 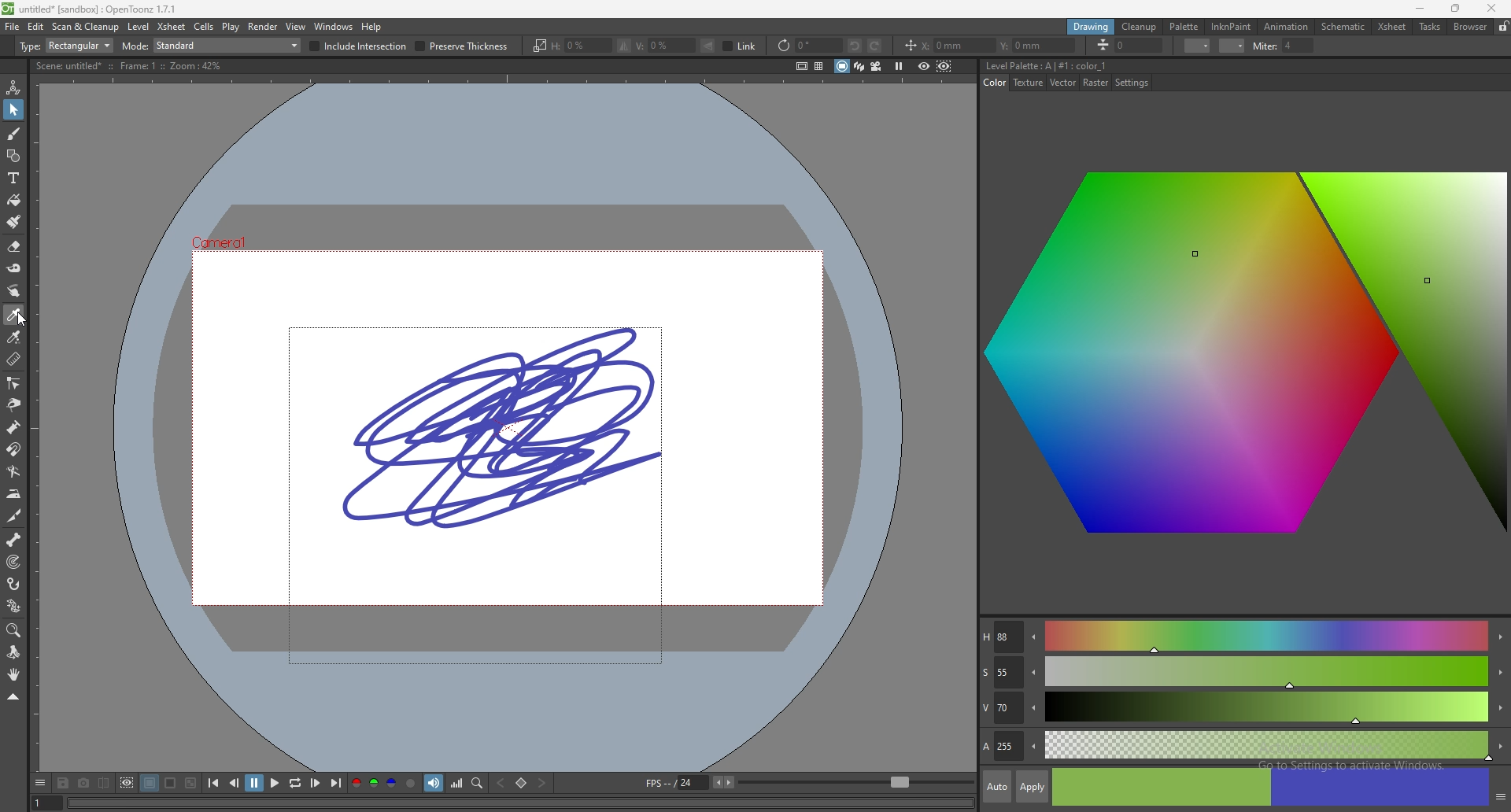 I want to click on field guide, so click(x=819, y=66).